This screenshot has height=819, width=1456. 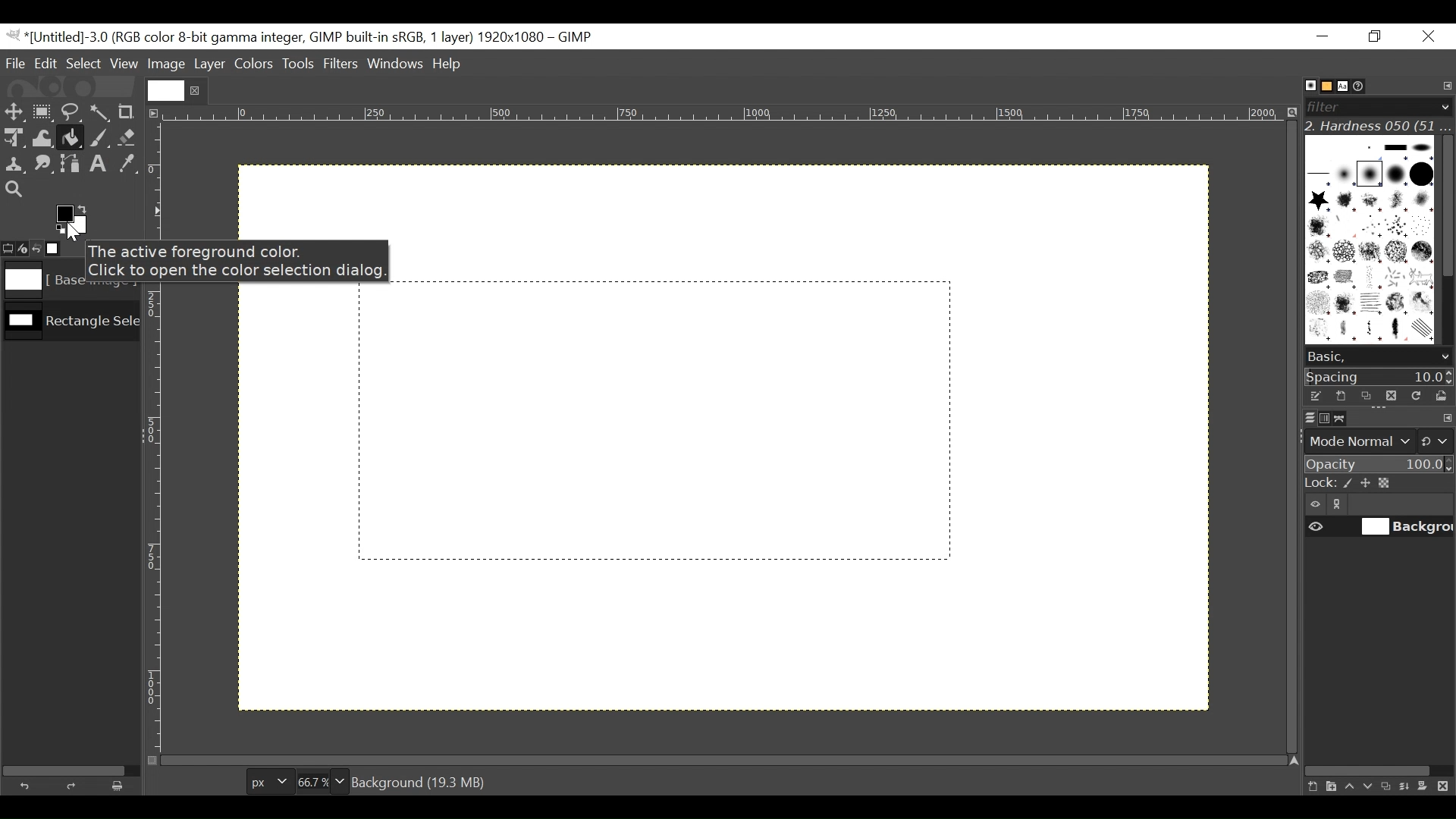 I want to click on Undo last action, so click(x=37, y=248).